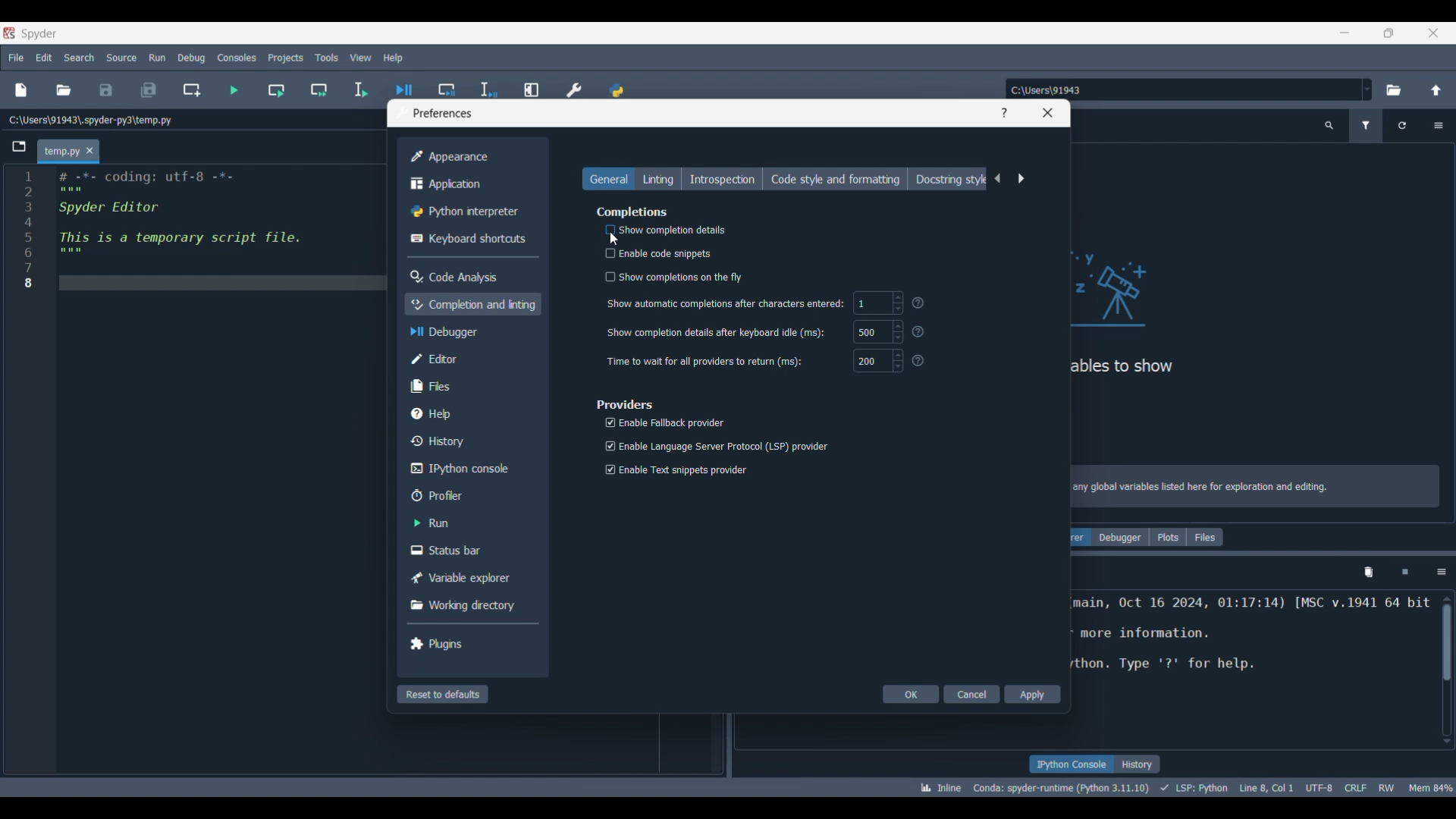  Describe the element at coordinates (657, 178) in the screenshot. I see `Linting` at that location.